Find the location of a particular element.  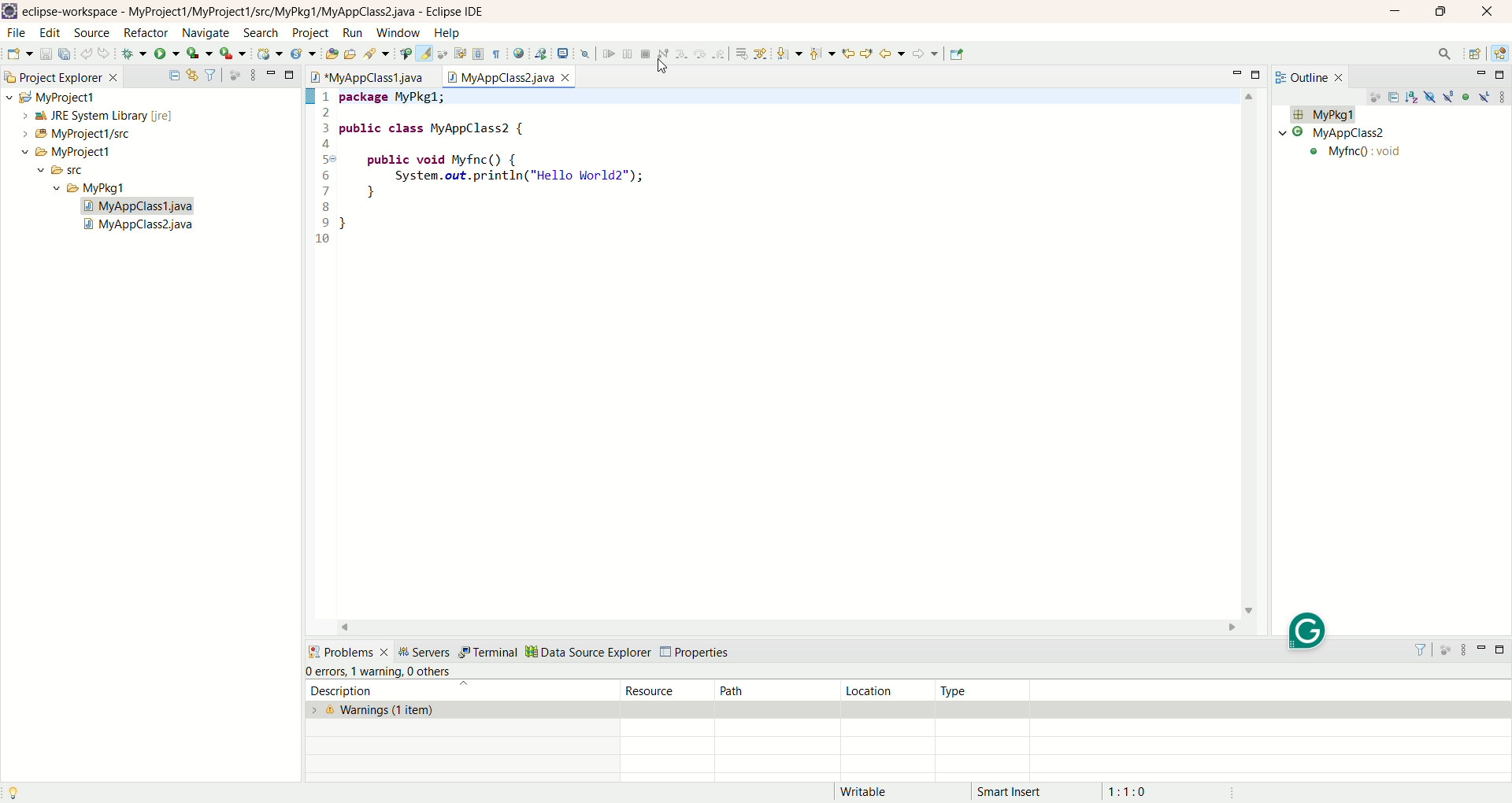

link with editor is located at coordinates (193, 75).